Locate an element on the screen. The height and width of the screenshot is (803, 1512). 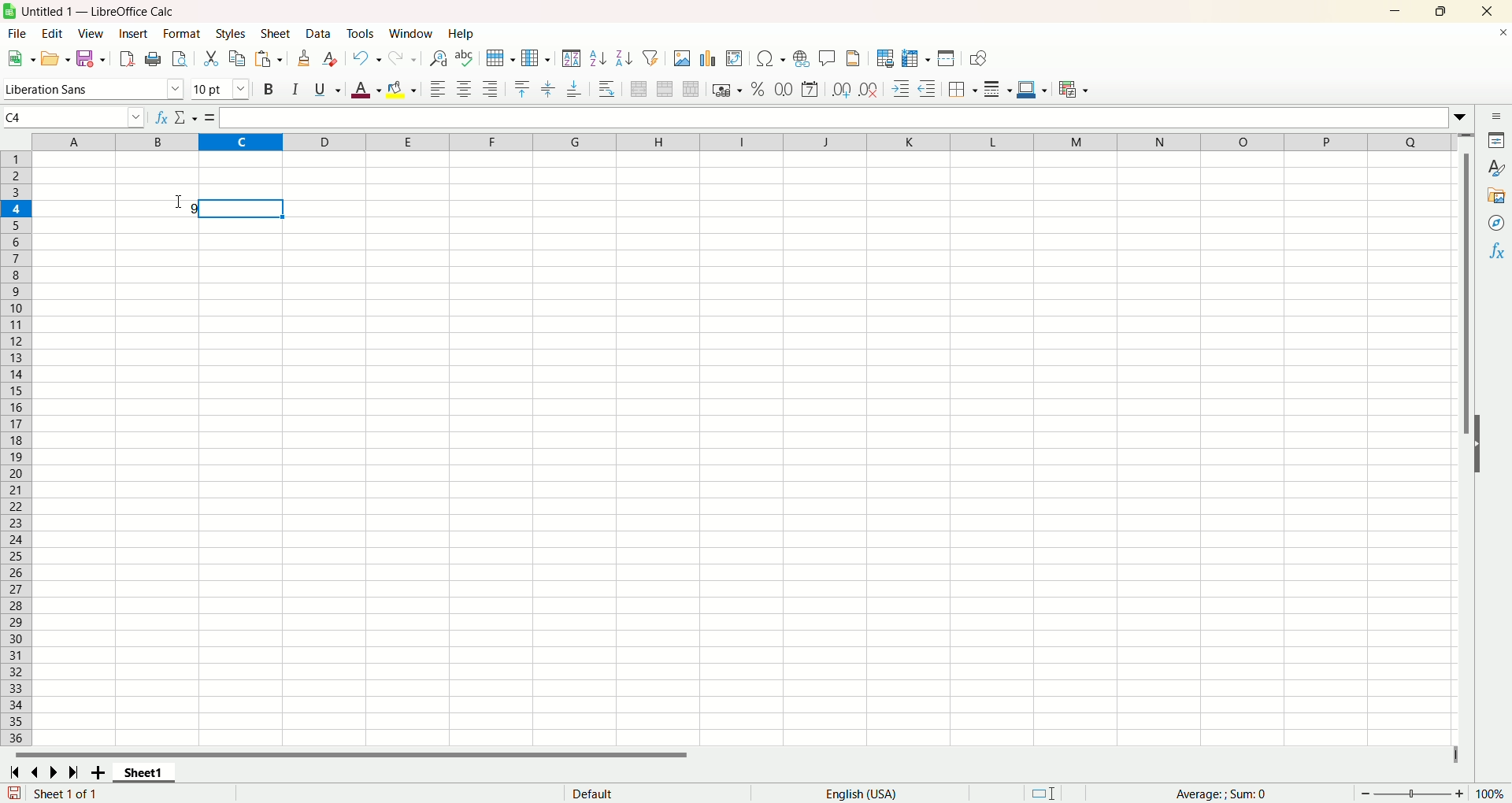
horizontal scroll bar is located at coordinates (726, 755).